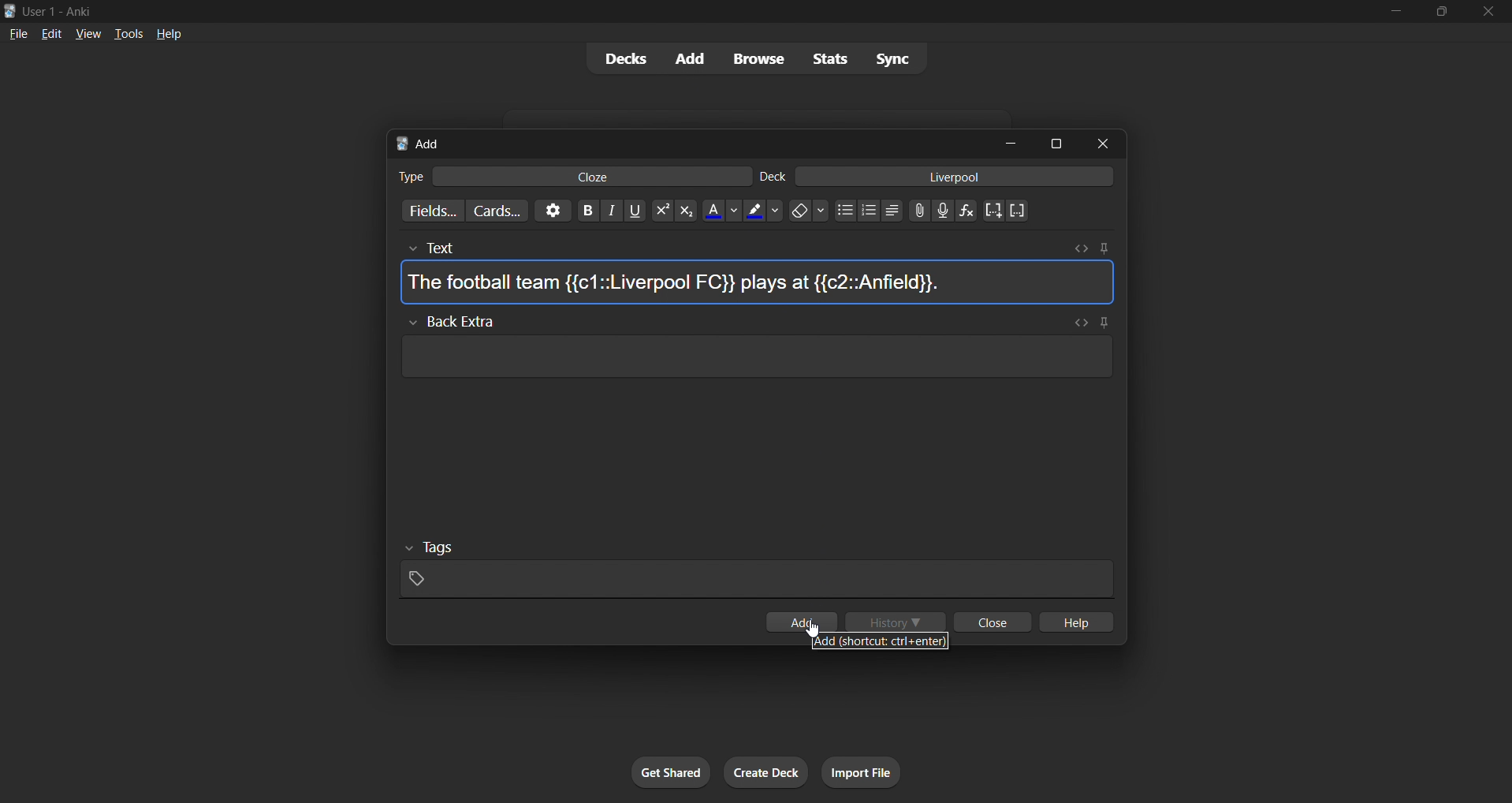  Describe the element at coordinates (896, 214) in the screenshot. I see `alignment` at that location.